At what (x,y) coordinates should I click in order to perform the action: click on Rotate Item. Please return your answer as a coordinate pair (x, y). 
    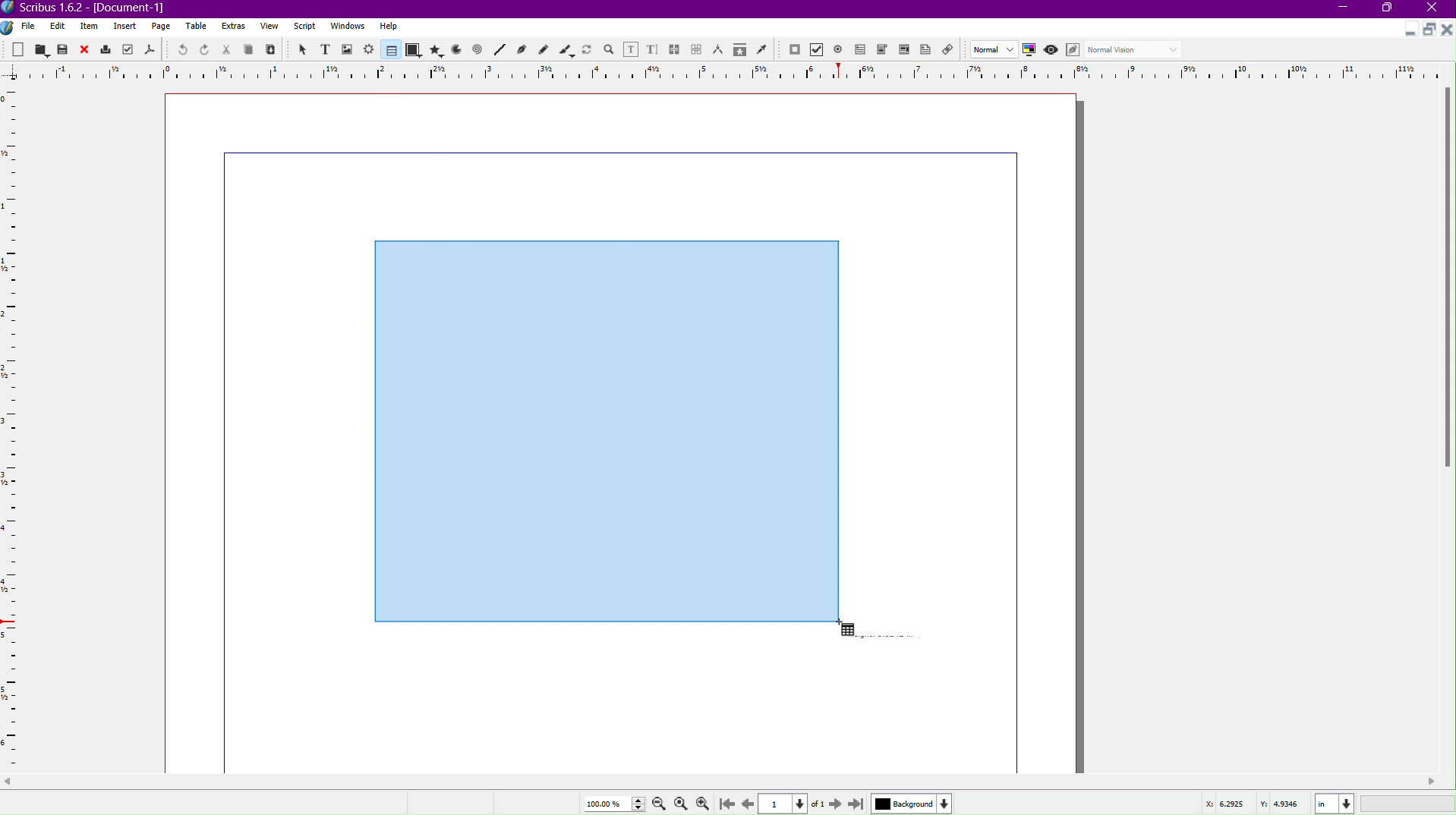
    Looking at the image, I should click on (587, 49).